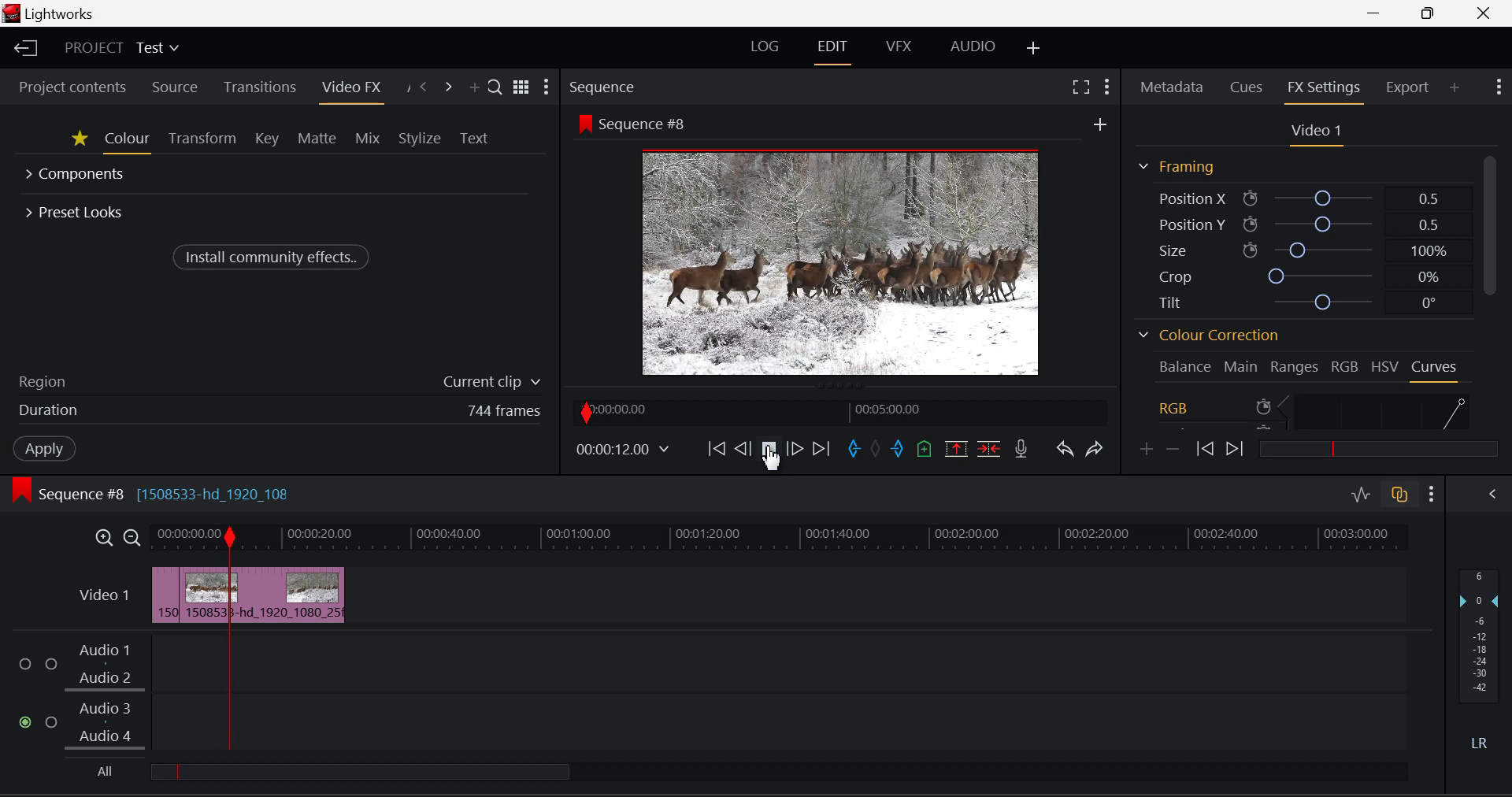  I want to click on Project Timeline Navigator, so click(840, 411).